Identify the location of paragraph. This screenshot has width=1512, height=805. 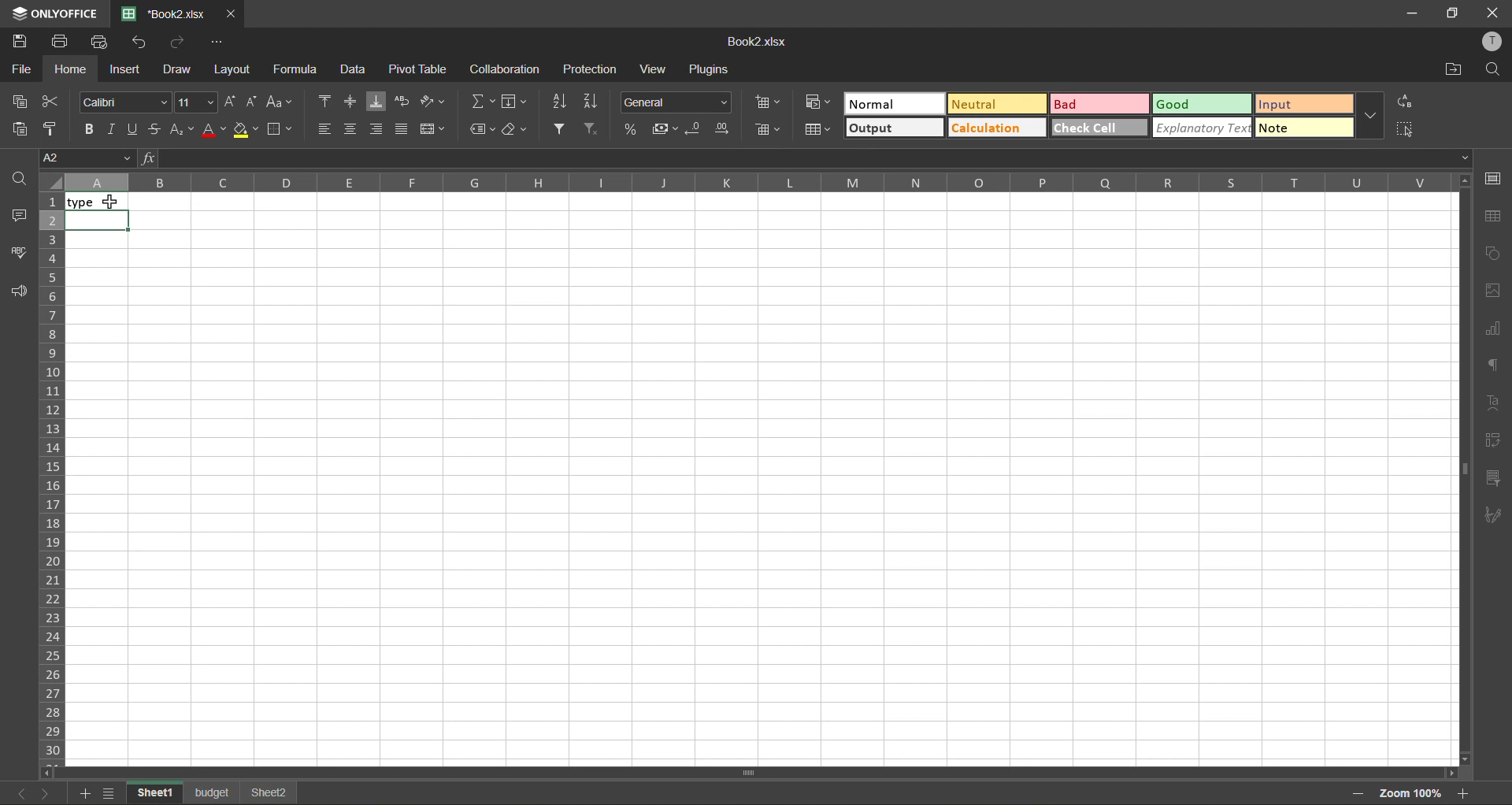
(1493, 365).